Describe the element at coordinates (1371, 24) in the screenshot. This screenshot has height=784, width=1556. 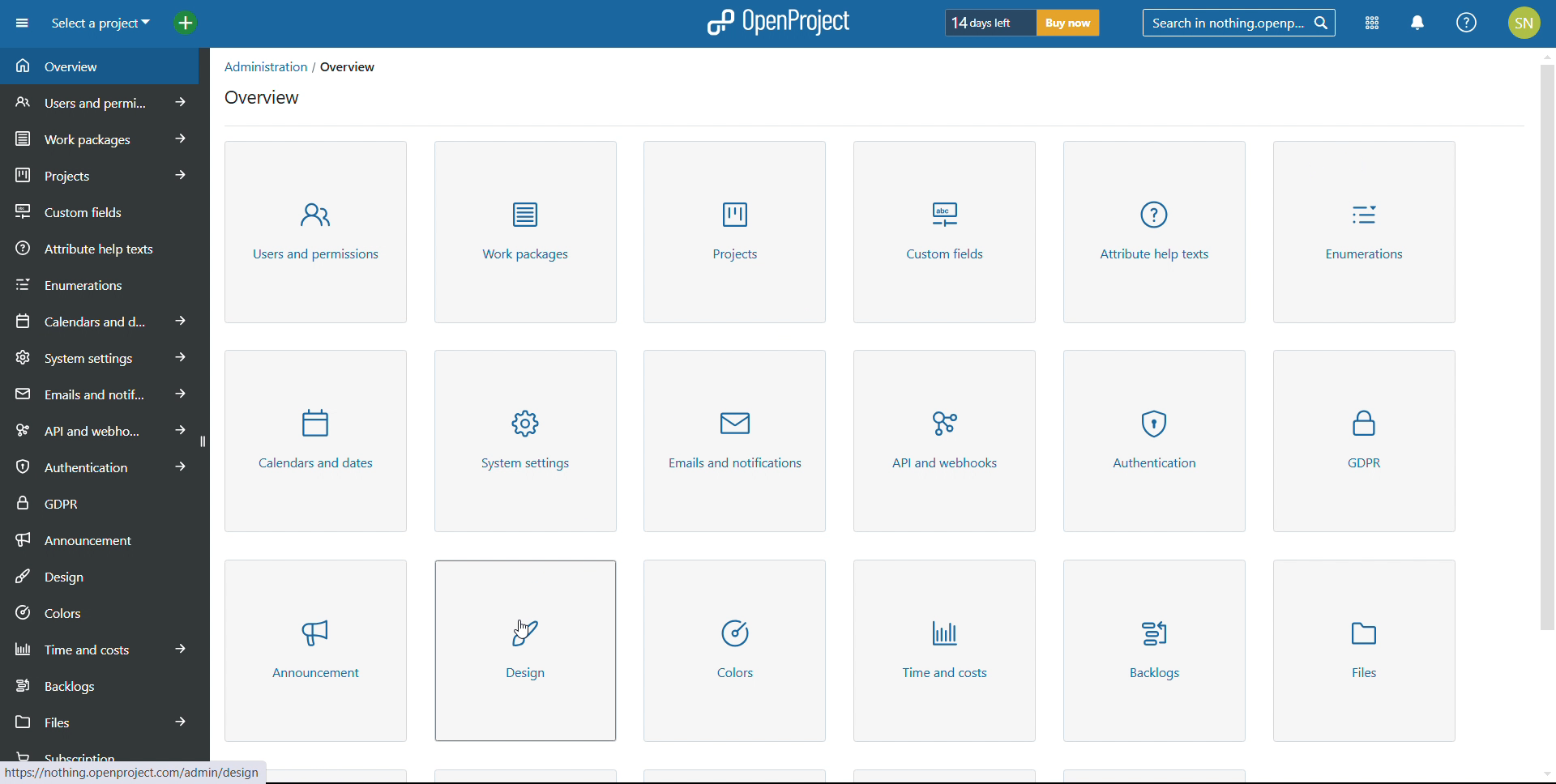
I see `modules` at that location.